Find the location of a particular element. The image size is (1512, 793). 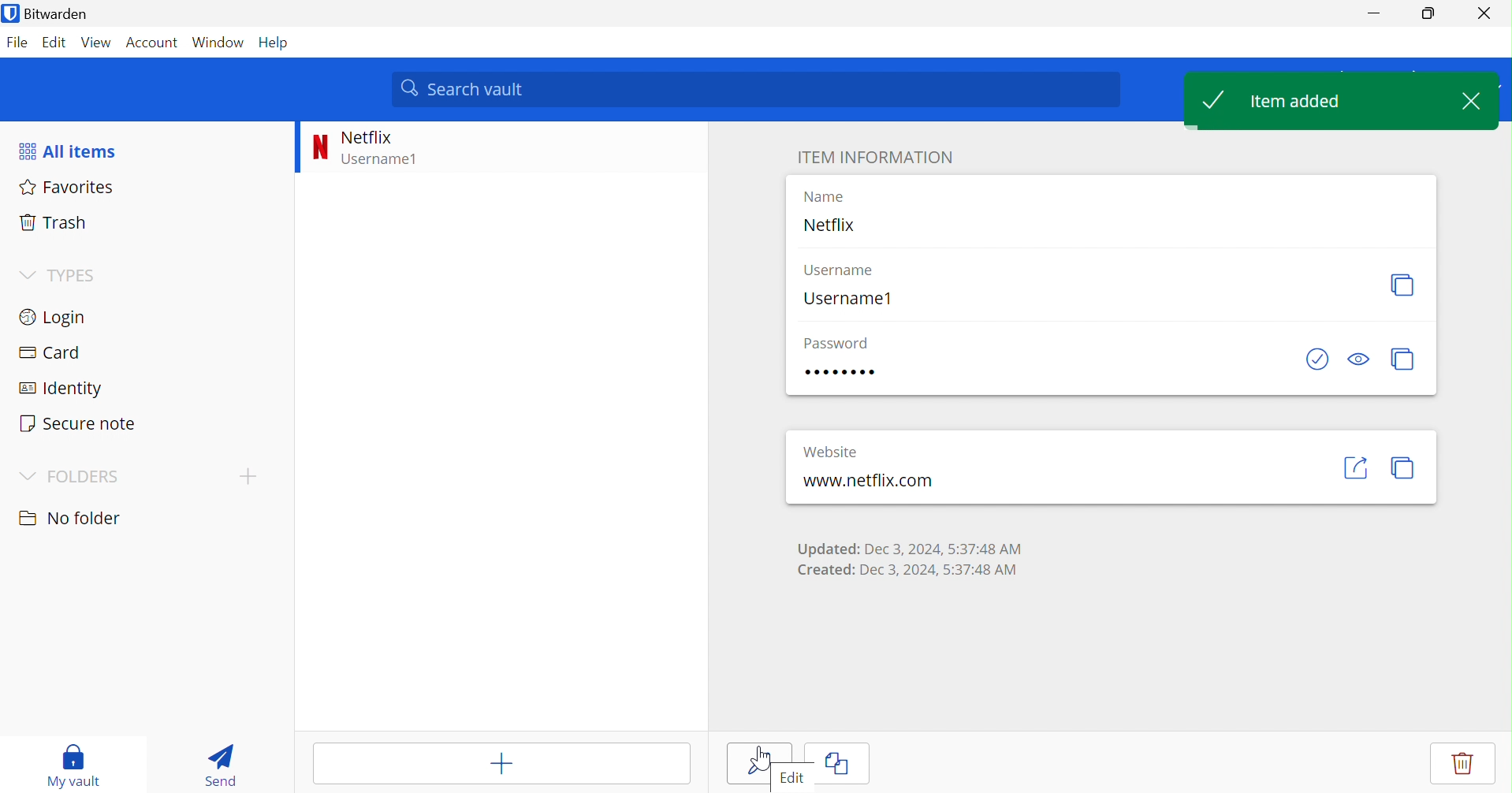

Username1 is located at coordinates (847, 297).